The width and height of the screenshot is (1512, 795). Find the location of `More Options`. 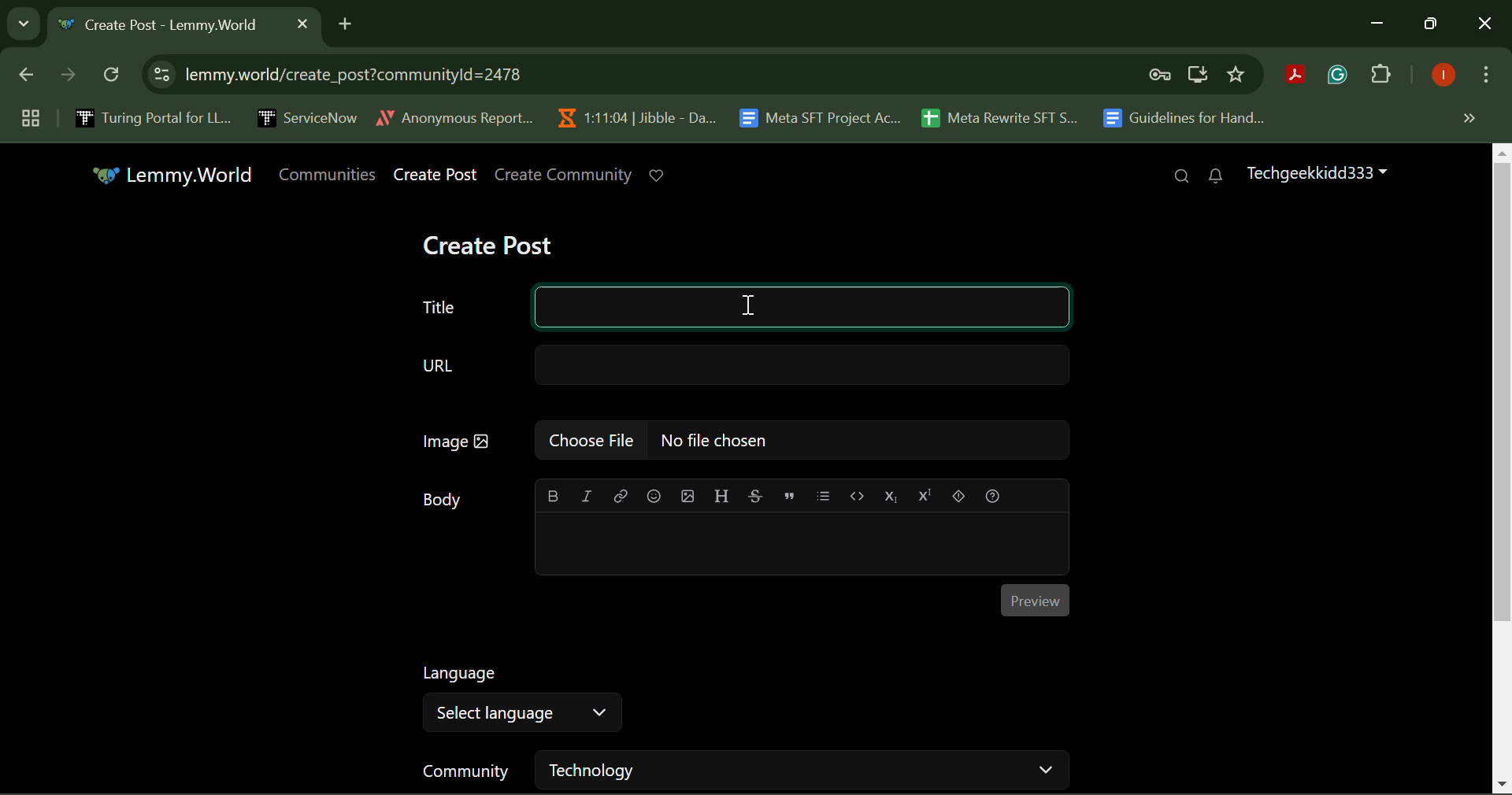

More Options is located at coordinates (1484, 78).